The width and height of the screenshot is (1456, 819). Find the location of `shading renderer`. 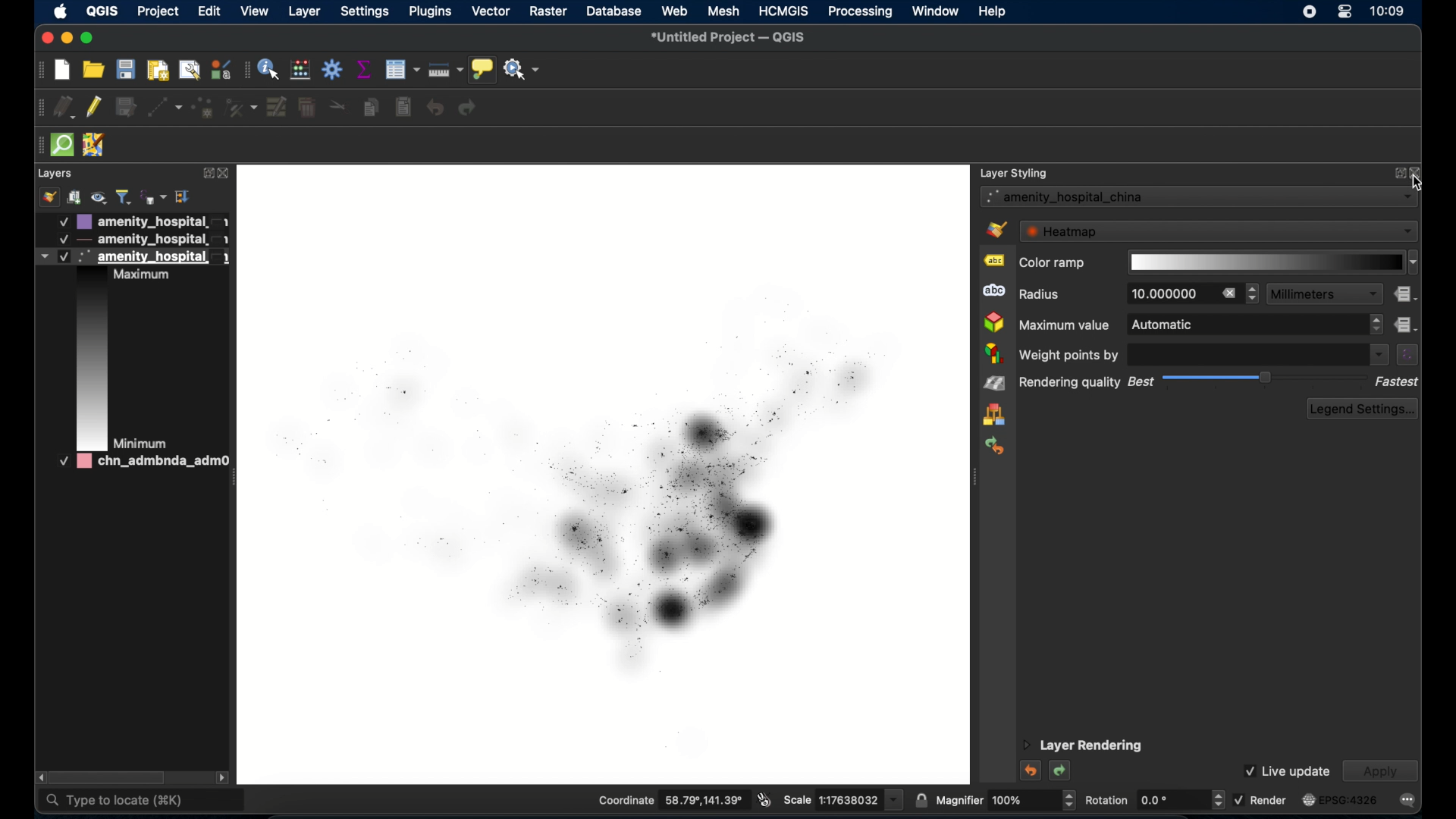

shading renderer is located at coordinates (994, 383).